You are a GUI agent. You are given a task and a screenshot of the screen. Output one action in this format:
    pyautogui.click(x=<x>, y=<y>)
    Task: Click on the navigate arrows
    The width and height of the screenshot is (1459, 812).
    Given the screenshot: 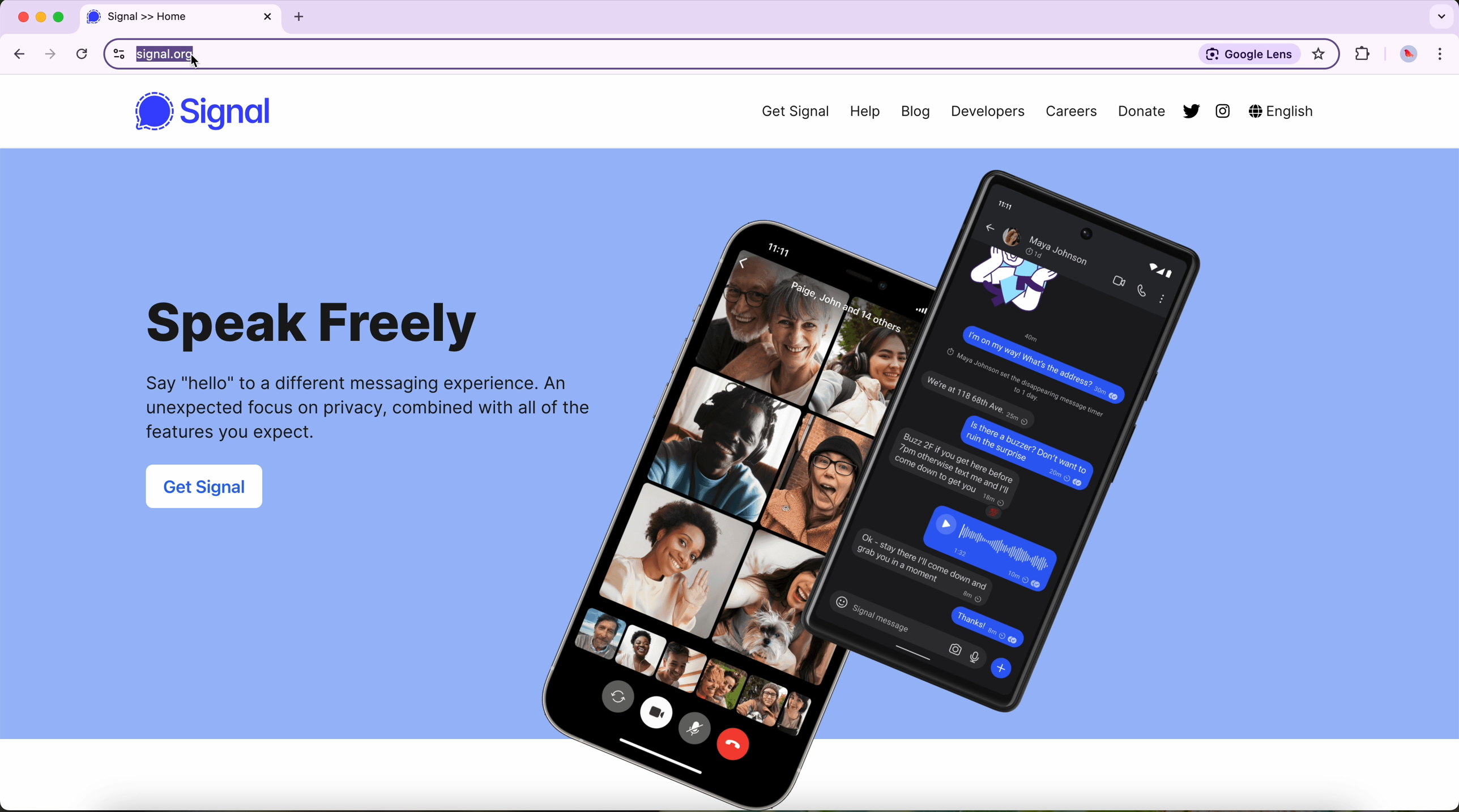 What is the action you would take?
    pyautogui.click(x=36, y=53)
    